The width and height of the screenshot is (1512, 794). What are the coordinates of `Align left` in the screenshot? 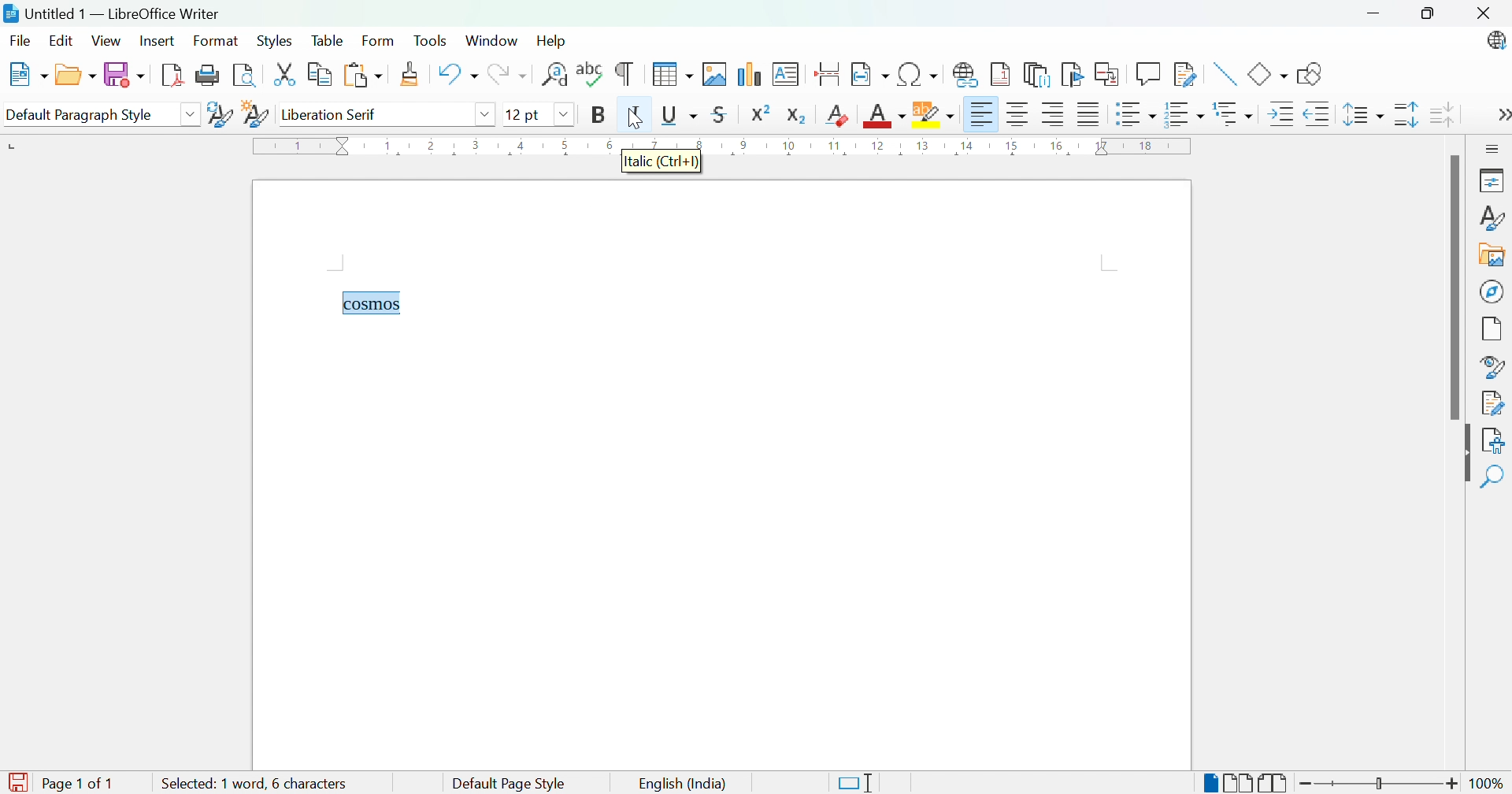 It's located at (982, 115).